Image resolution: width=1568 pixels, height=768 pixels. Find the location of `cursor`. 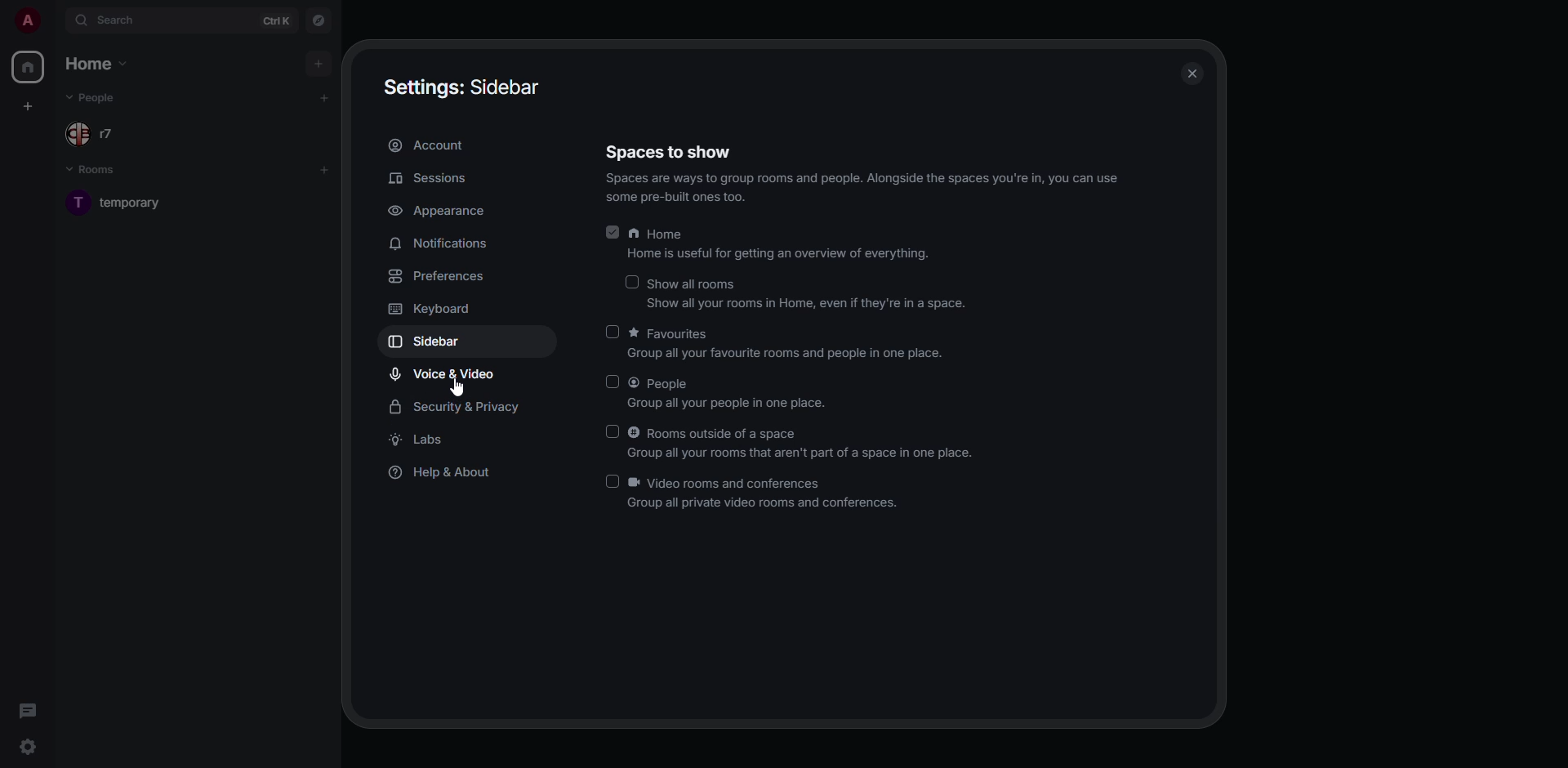

cursor is located at coordinates (456, 388).